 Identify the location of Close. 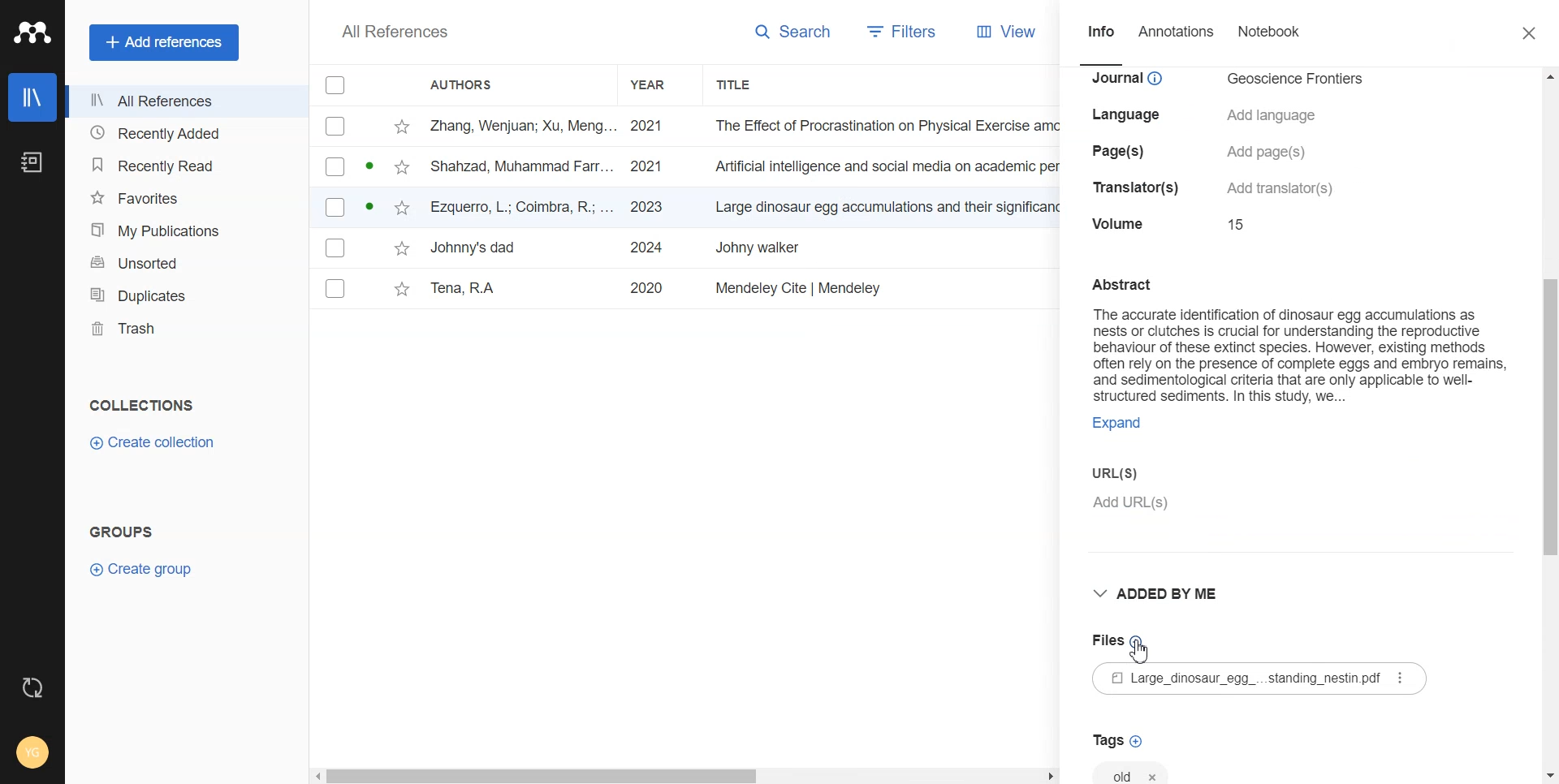
(1531, 34).